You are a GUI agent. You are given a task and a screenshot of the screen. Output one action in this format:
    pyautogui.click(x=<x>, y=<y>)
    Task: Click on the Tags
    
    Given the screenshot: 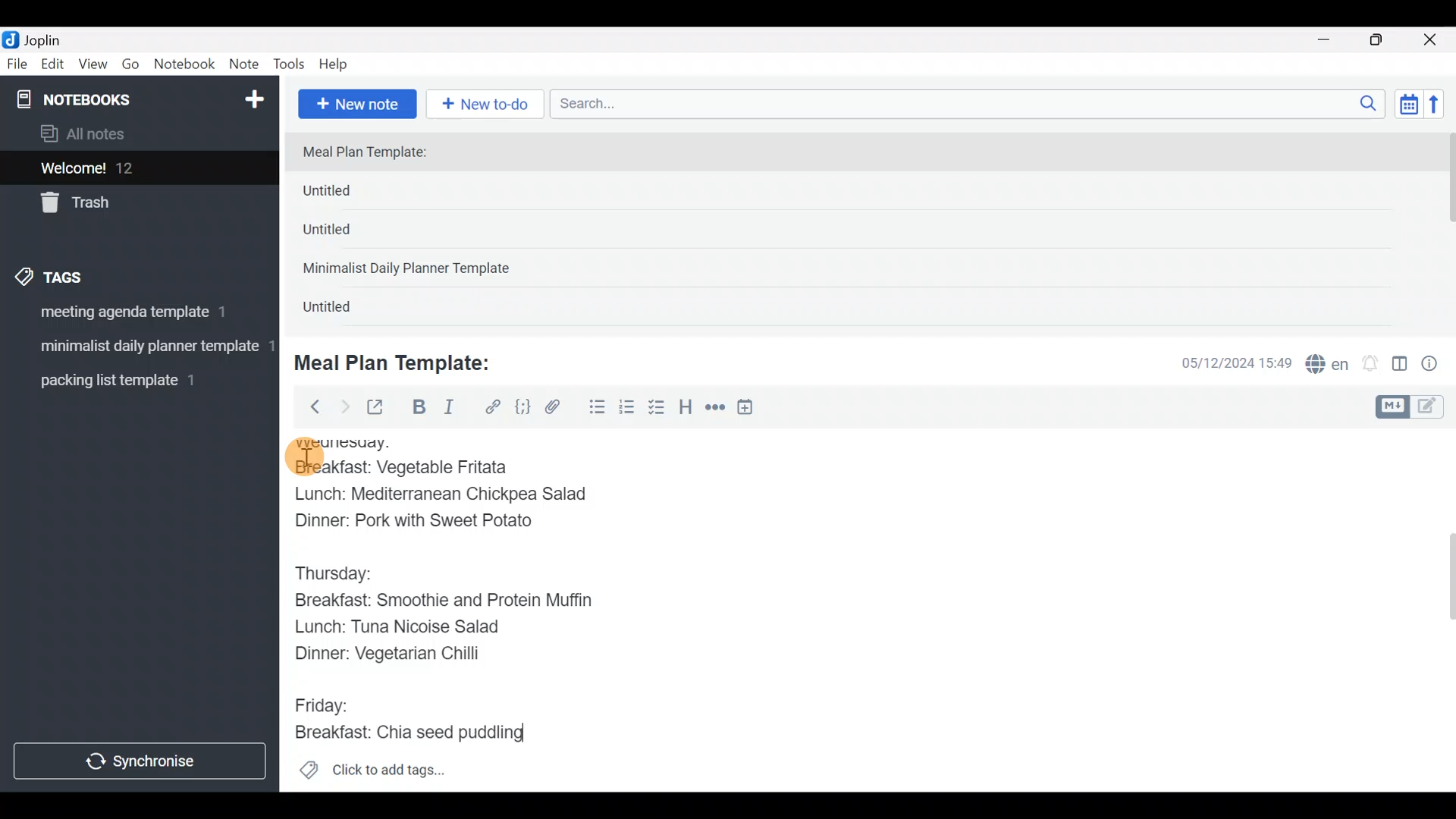 What is the action you would take?
    pyautogui.click(x=85, y=275)
    